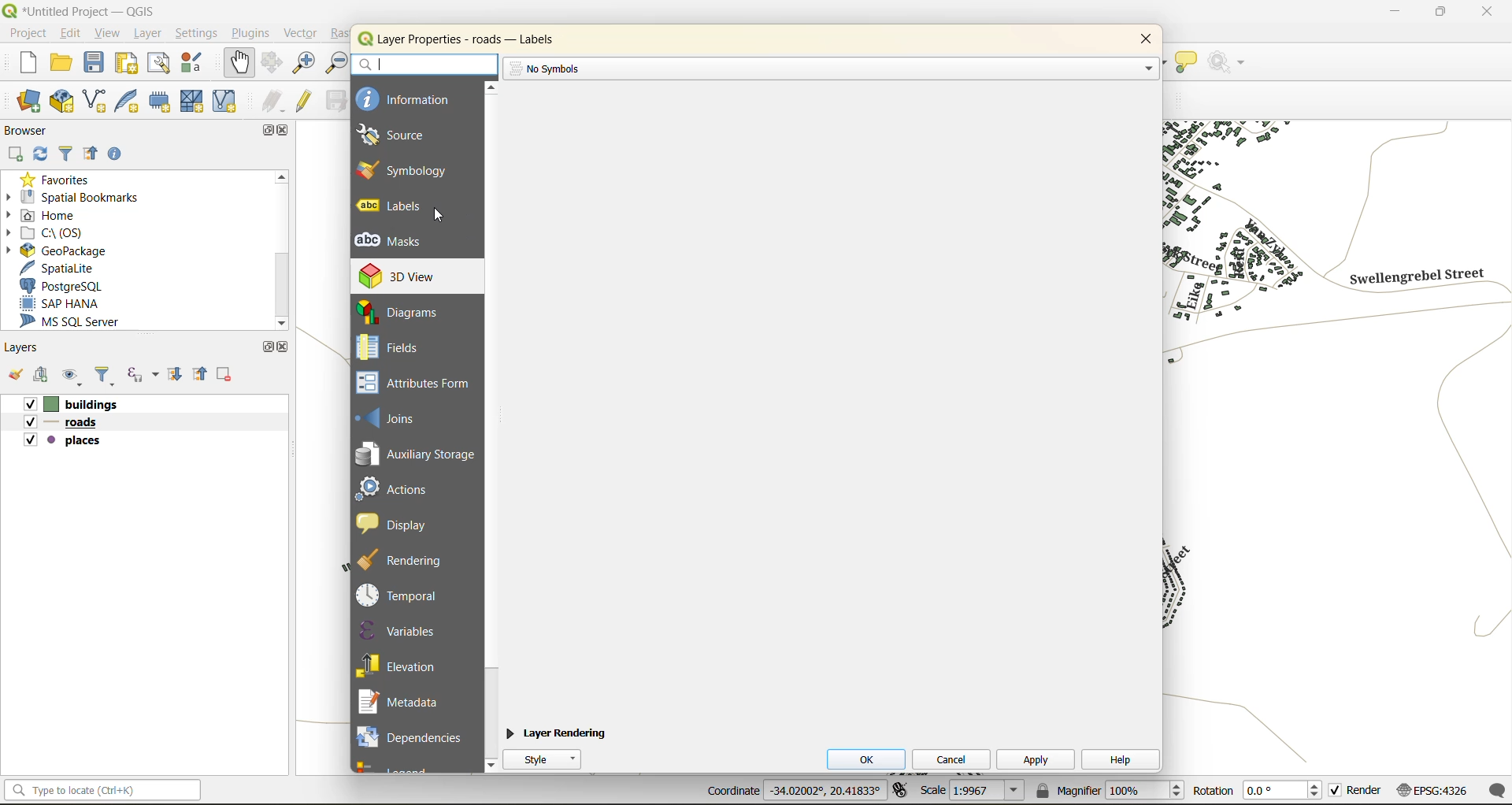  Describe the element at coordinates (80, 10) in the screenshot. I see `file name and app name` at that location.